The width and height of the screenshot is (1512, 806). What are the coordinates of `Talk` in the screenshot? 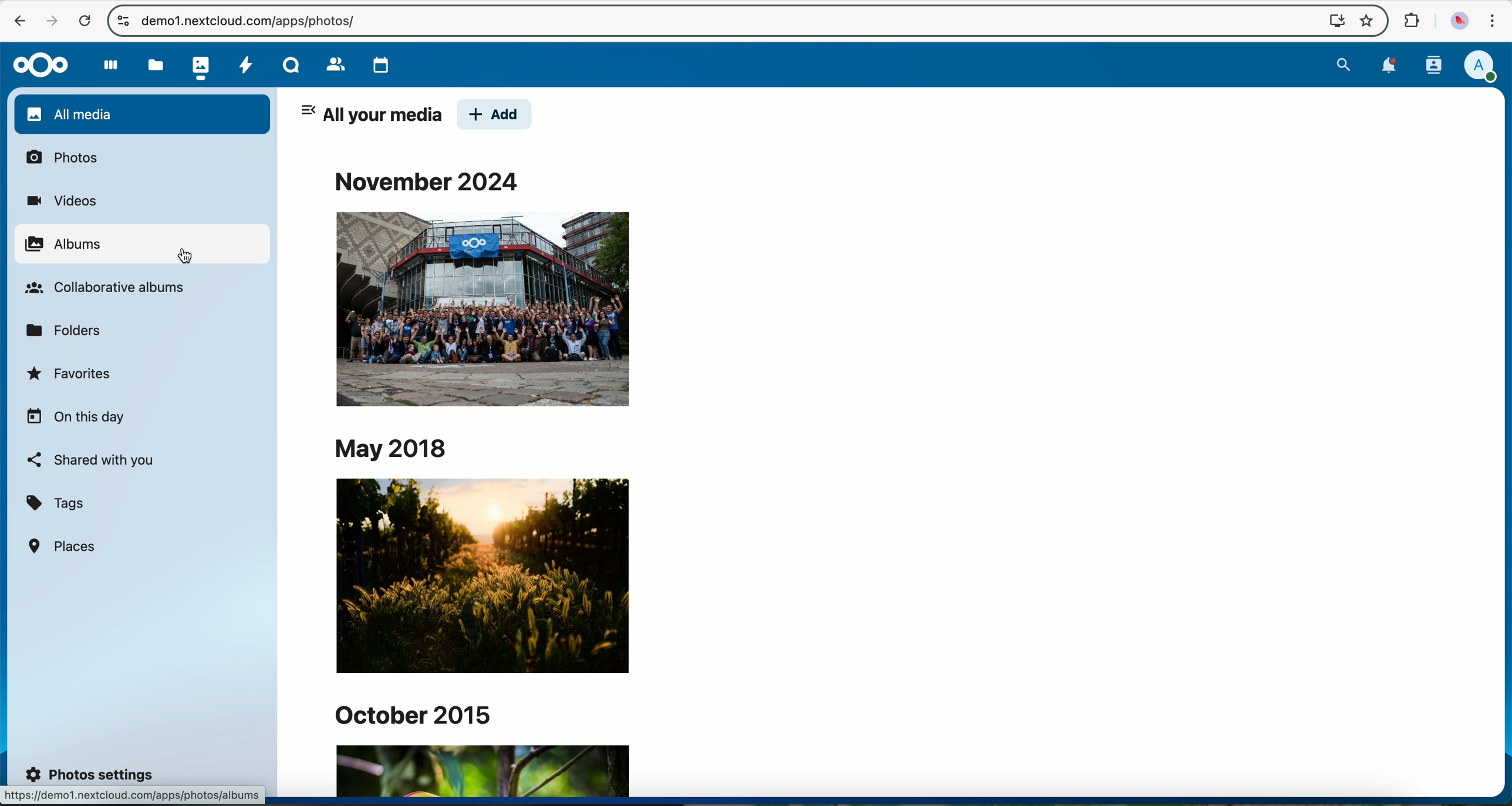 It's located at (291, 63).